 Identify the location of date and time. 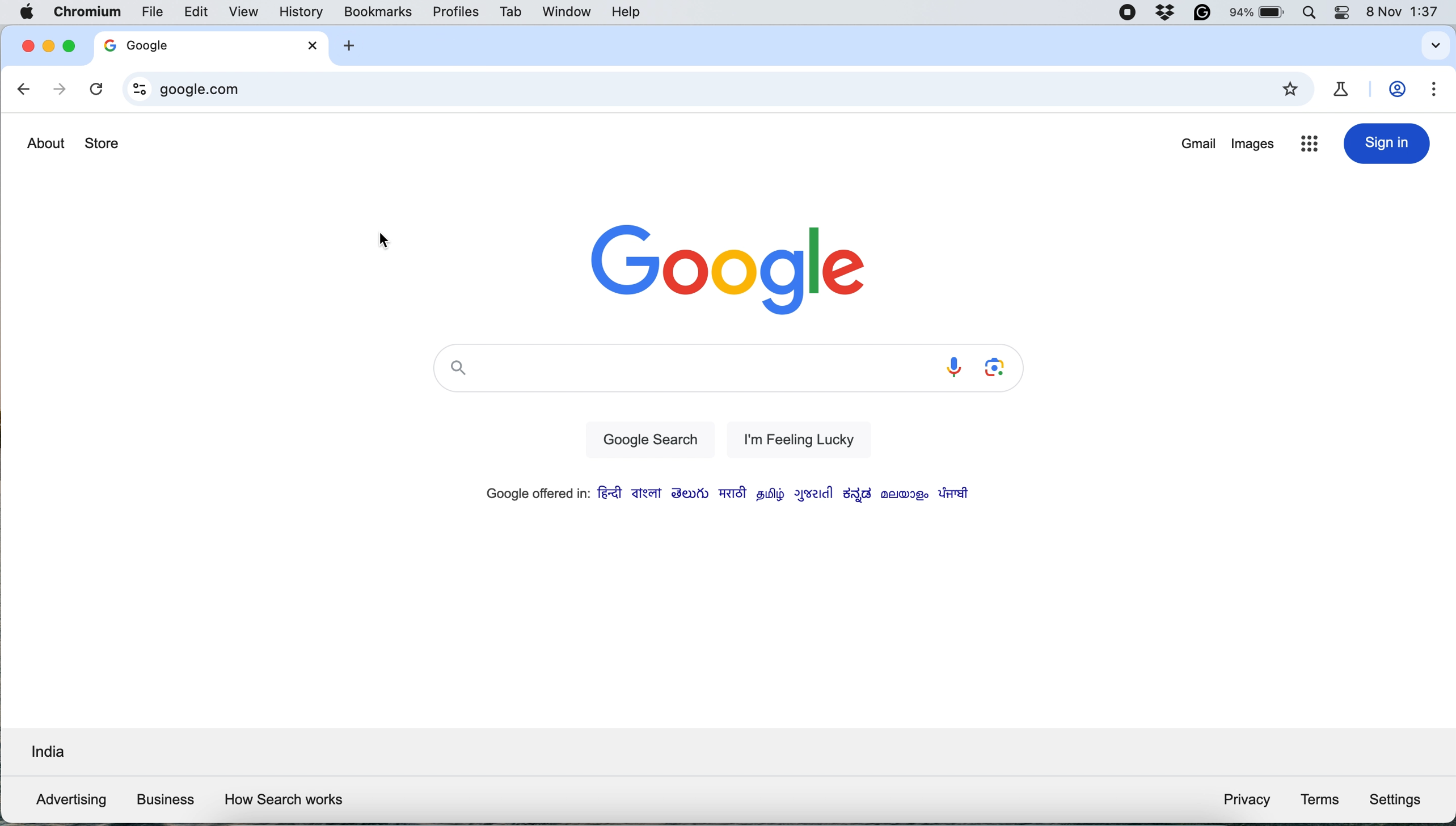
(1407, 12).